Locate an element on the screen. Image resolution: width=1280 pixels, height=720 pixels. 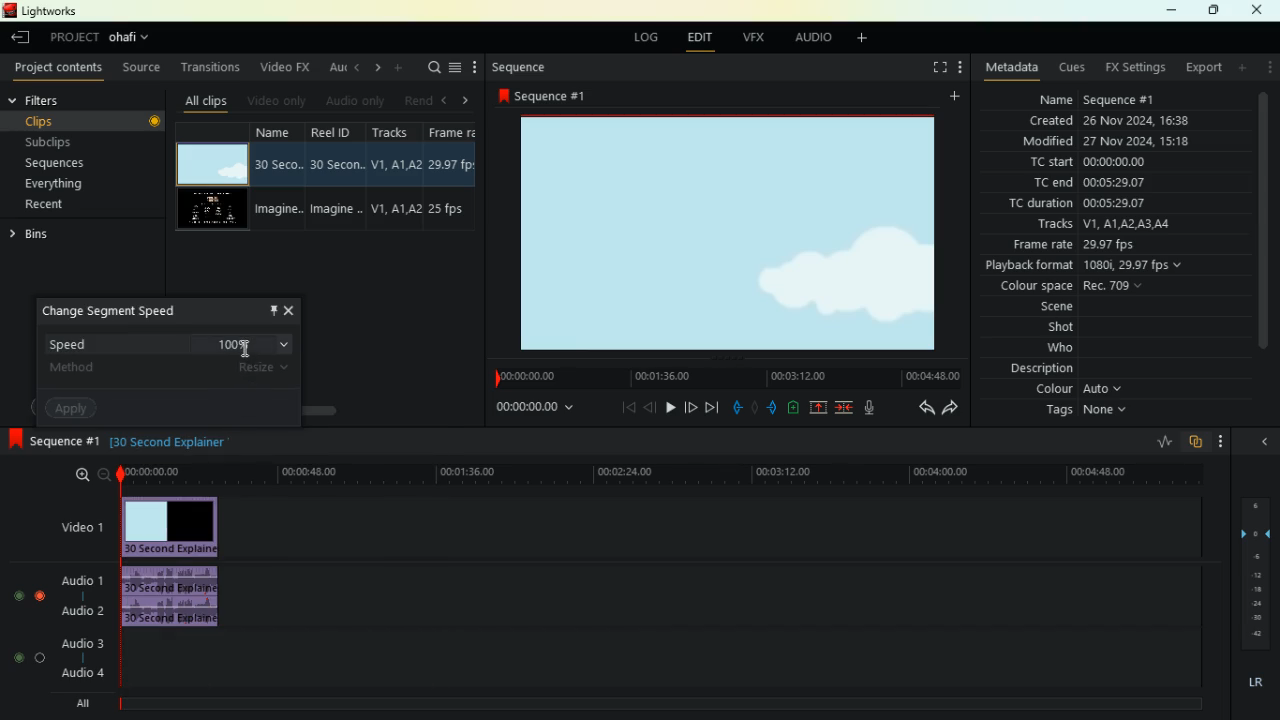
colour auto is located at coordinates (1082, 389).